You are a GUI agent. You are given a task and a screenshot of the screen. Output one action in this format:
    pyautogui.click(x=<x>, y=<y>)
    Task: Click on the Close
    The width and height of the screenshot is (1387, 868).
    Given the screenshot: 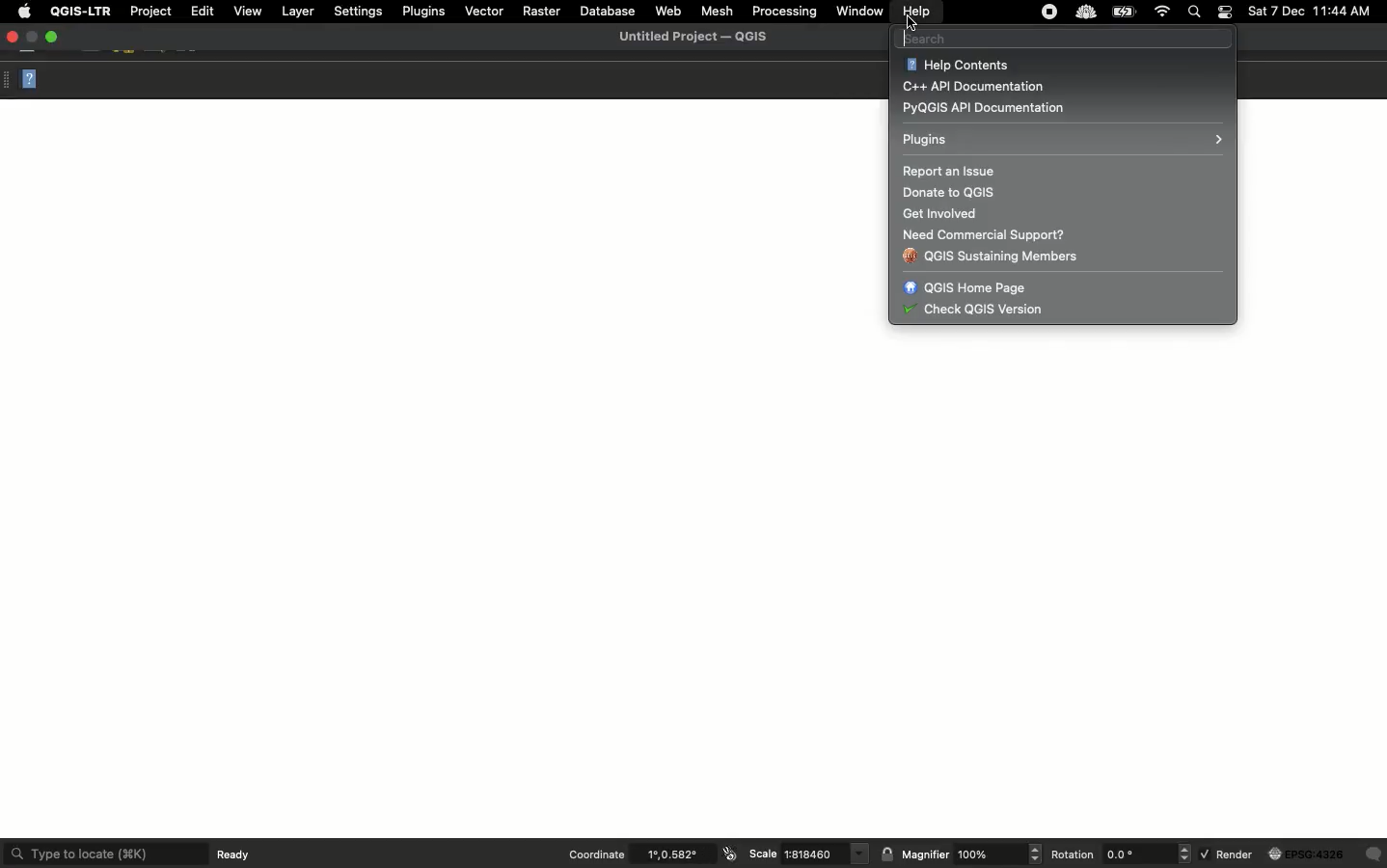 What is the action you would take?
    pyautogui.click(x=13, y=38)
    